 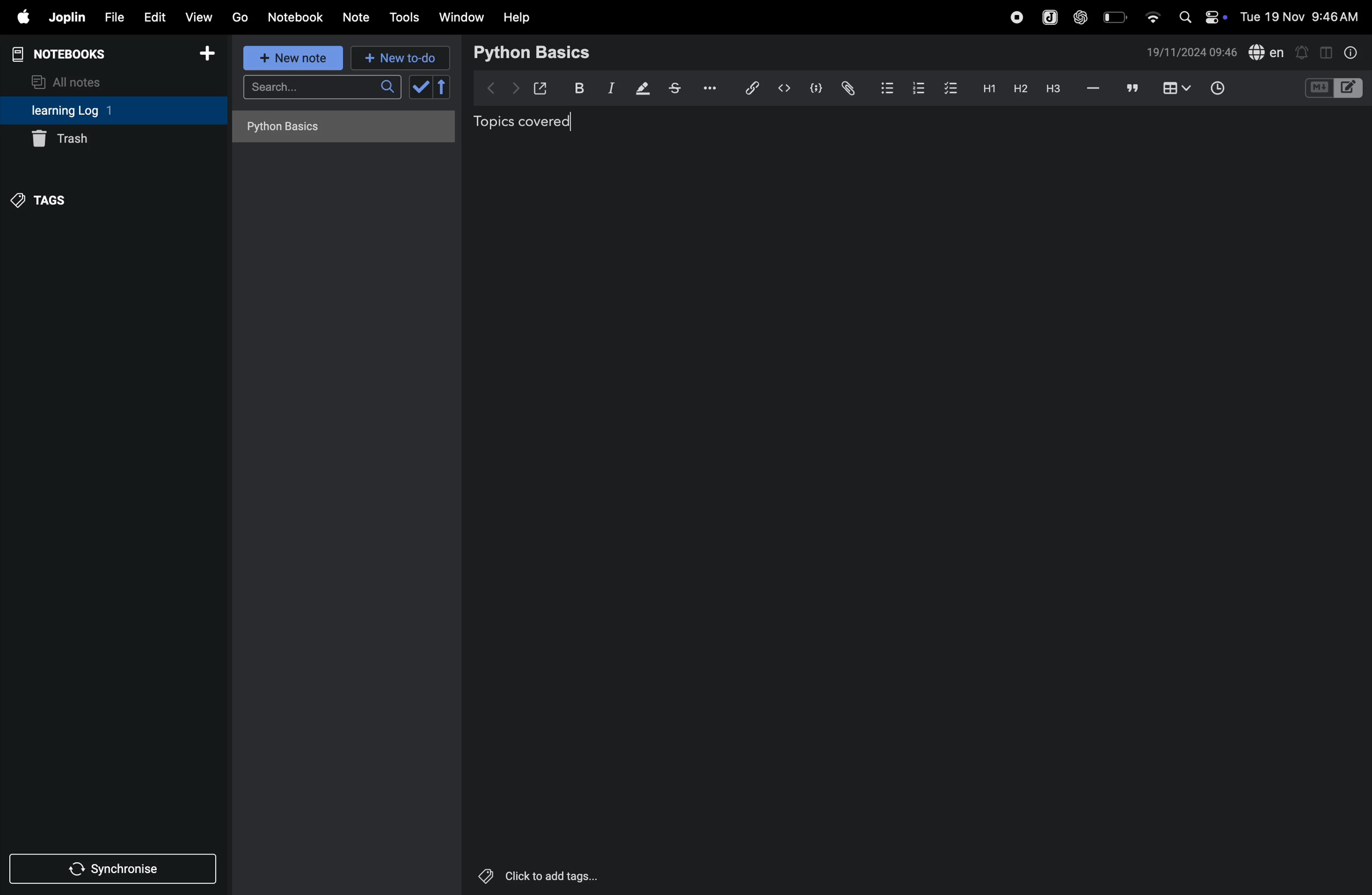 I want to click on view, so click(x=199, y=17).